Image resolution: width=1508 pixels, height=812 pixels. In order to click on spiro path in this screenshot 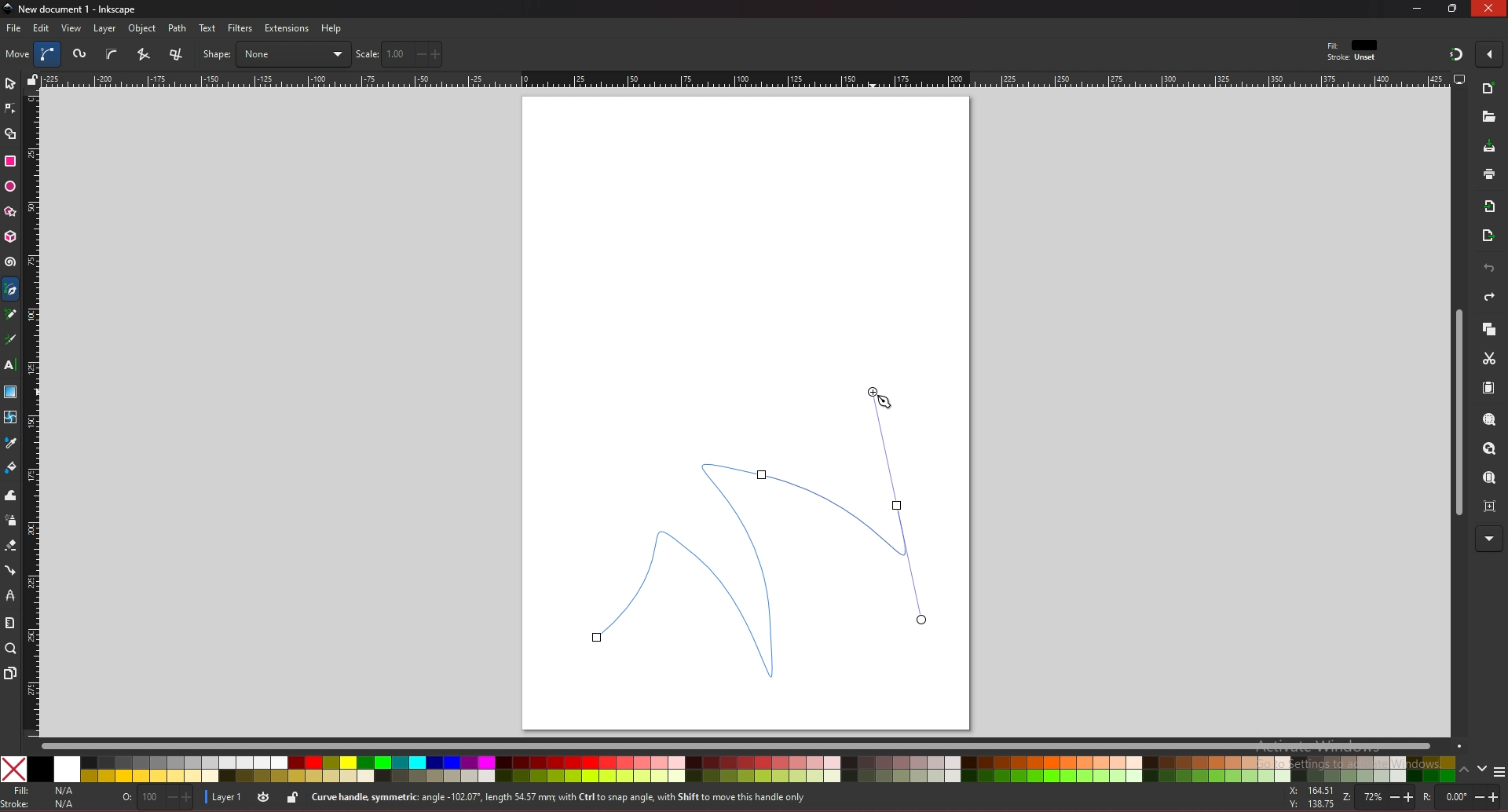, I will do `click(81, 55)`.